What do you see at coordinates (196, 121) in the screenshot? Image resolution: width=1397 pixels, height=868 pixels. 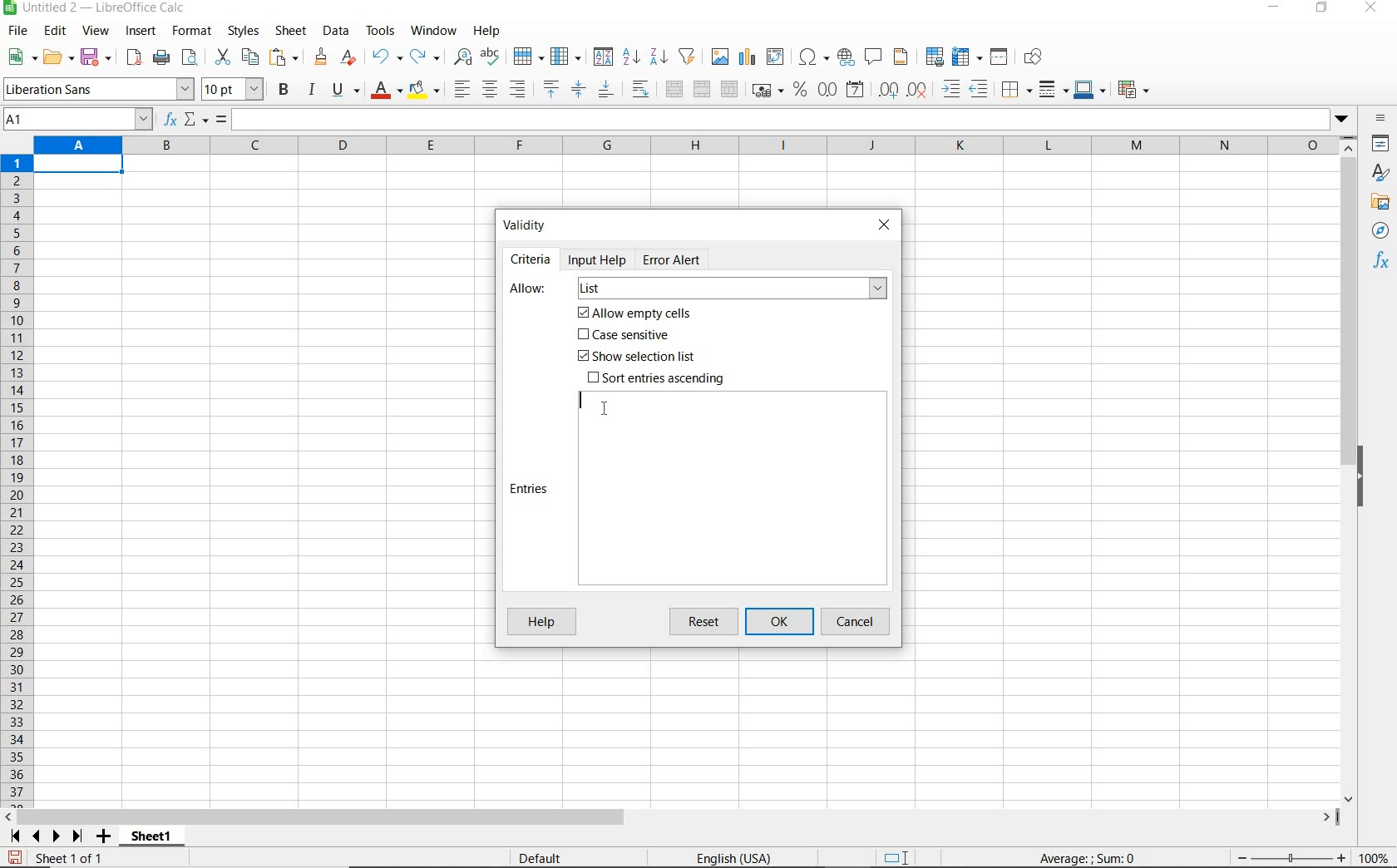 I see `select function` at bounding box center [196, 121].